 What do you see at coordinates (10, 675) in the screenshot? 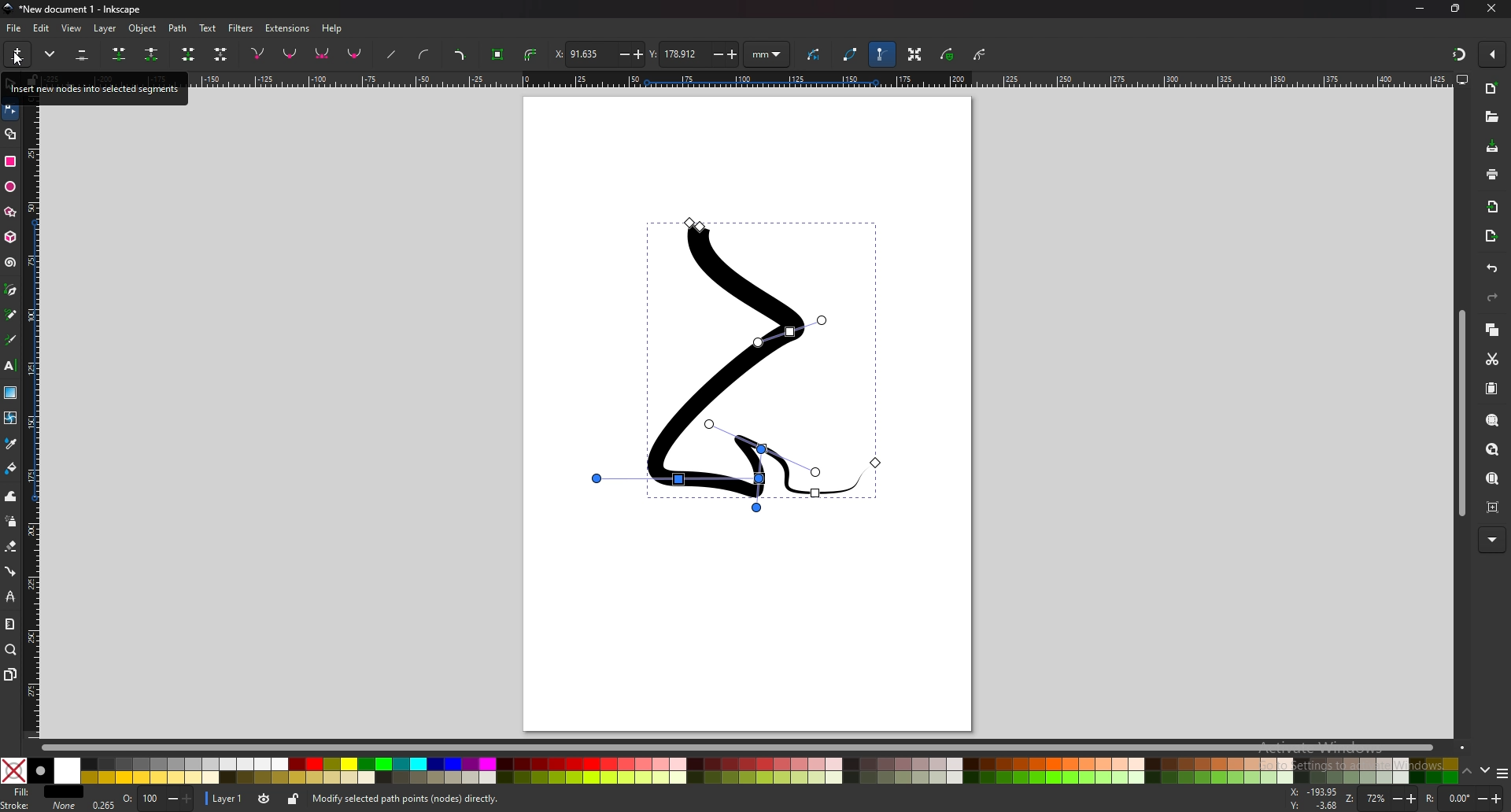
I see `pages` at bounding box center [10, 675].